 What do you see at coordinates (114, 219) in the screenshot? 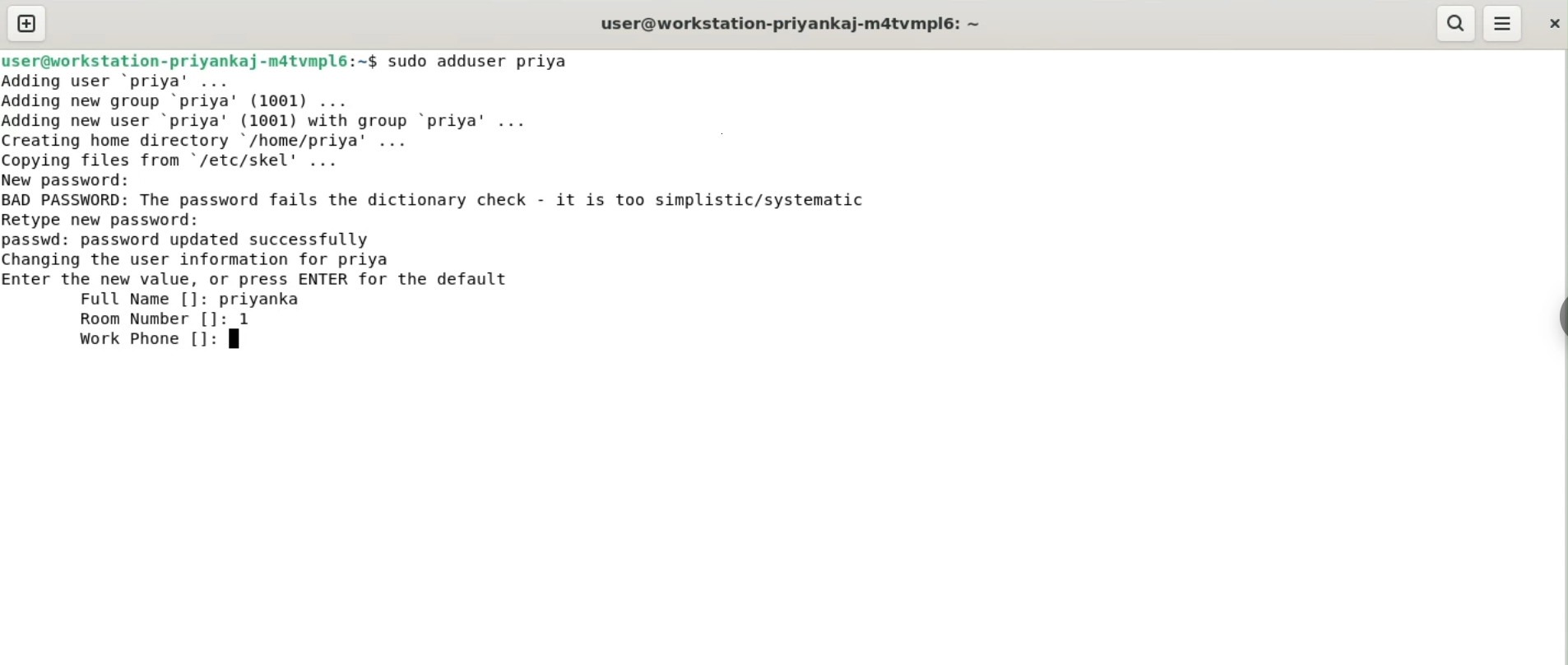
I see `retype new password:` at bounding box center [114, 219].